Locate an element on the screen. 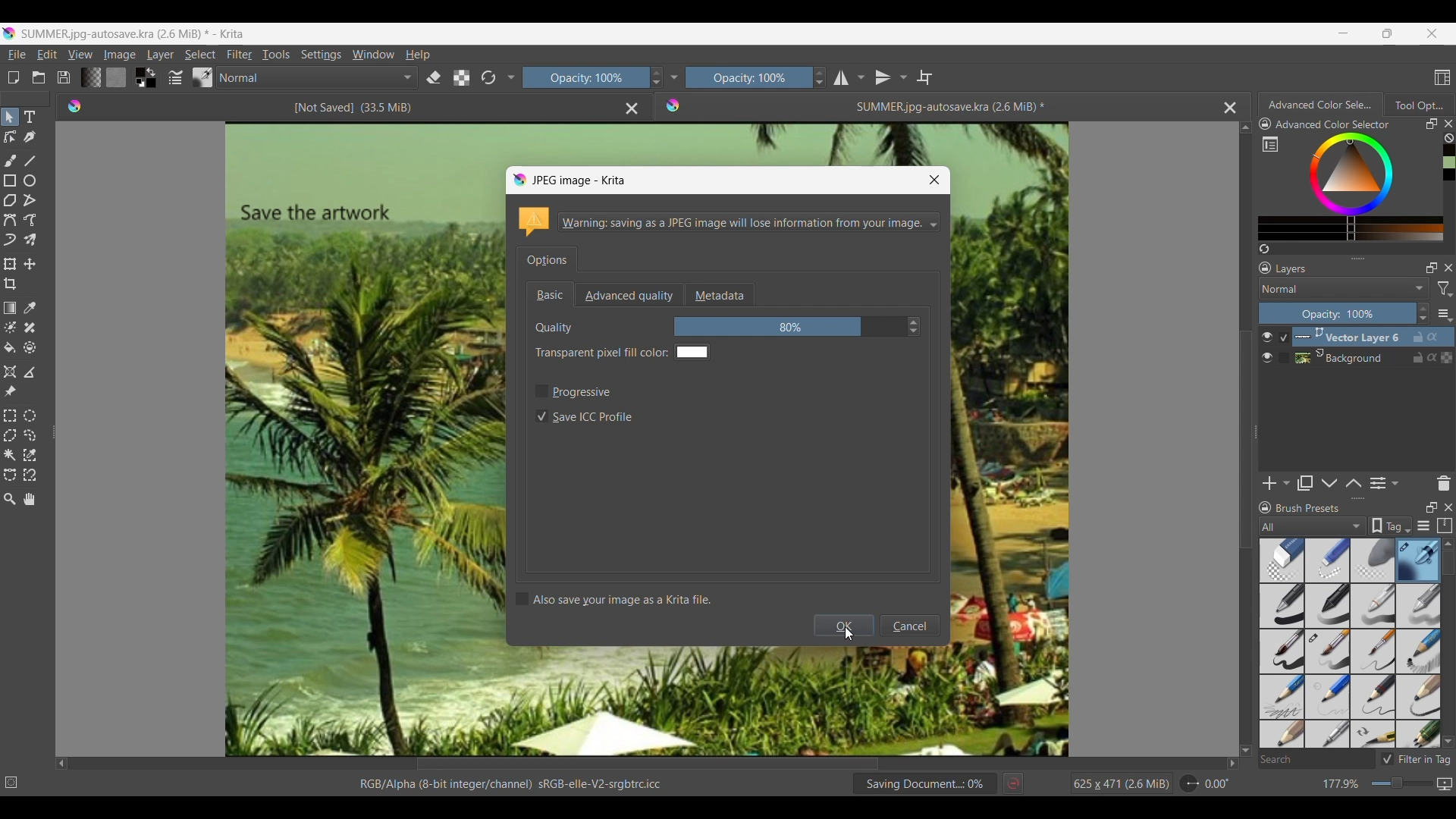 The image size is (1456, 819). Scale to change opacity is located at coordinates (582, 78).